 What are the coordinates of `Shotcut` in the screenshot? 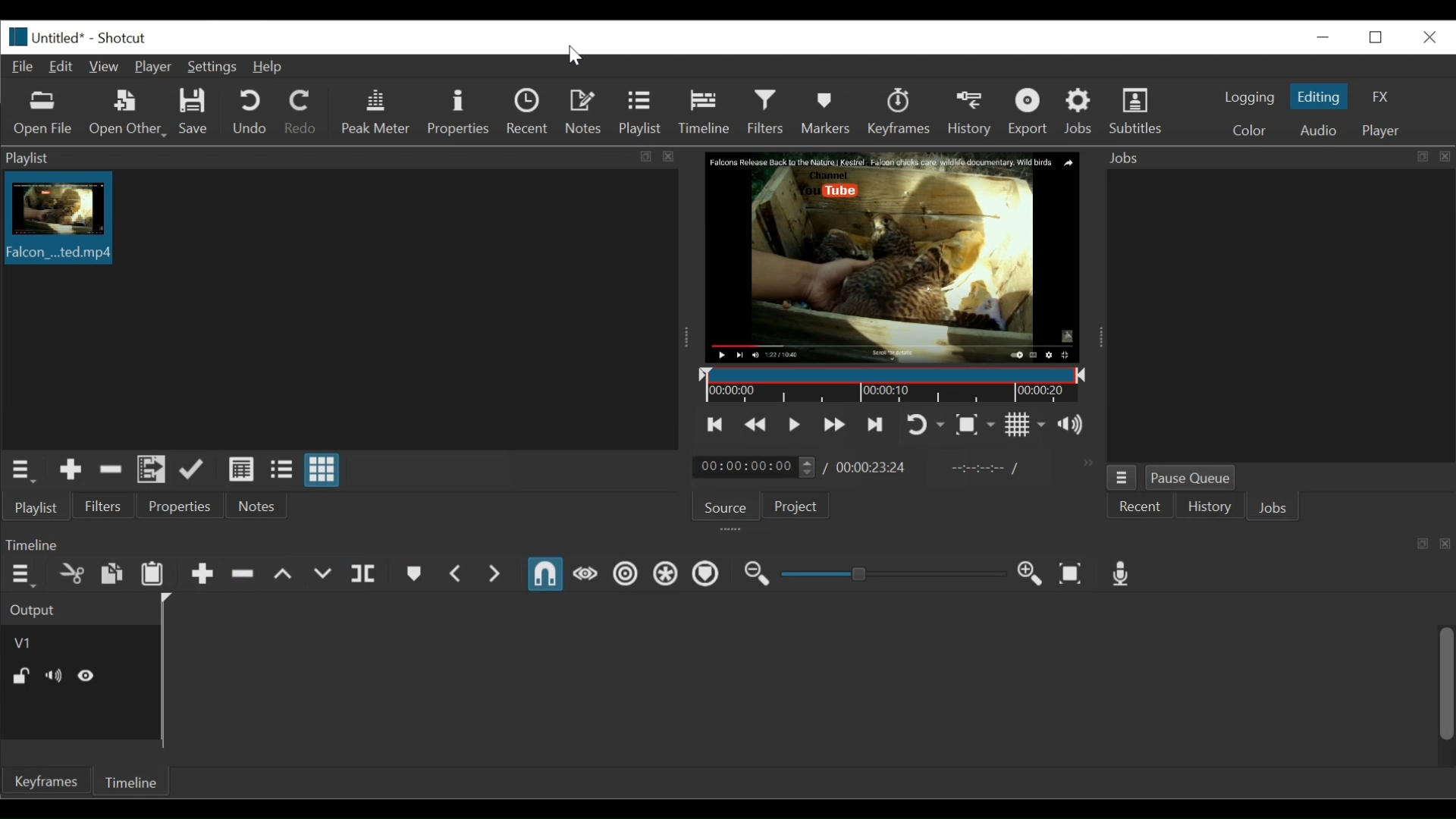 It's located at (124, 39).